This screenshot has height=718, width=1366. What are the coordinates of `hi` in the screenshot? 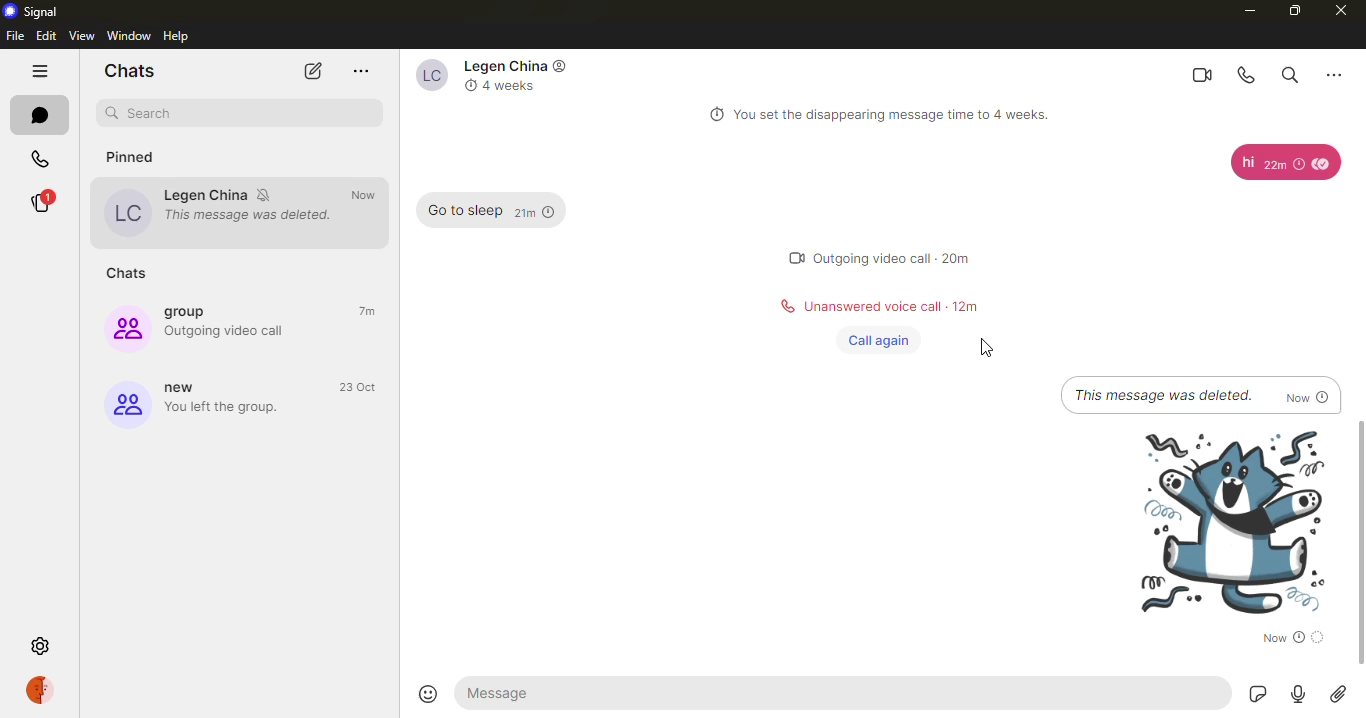 It's located at (1243, 165).